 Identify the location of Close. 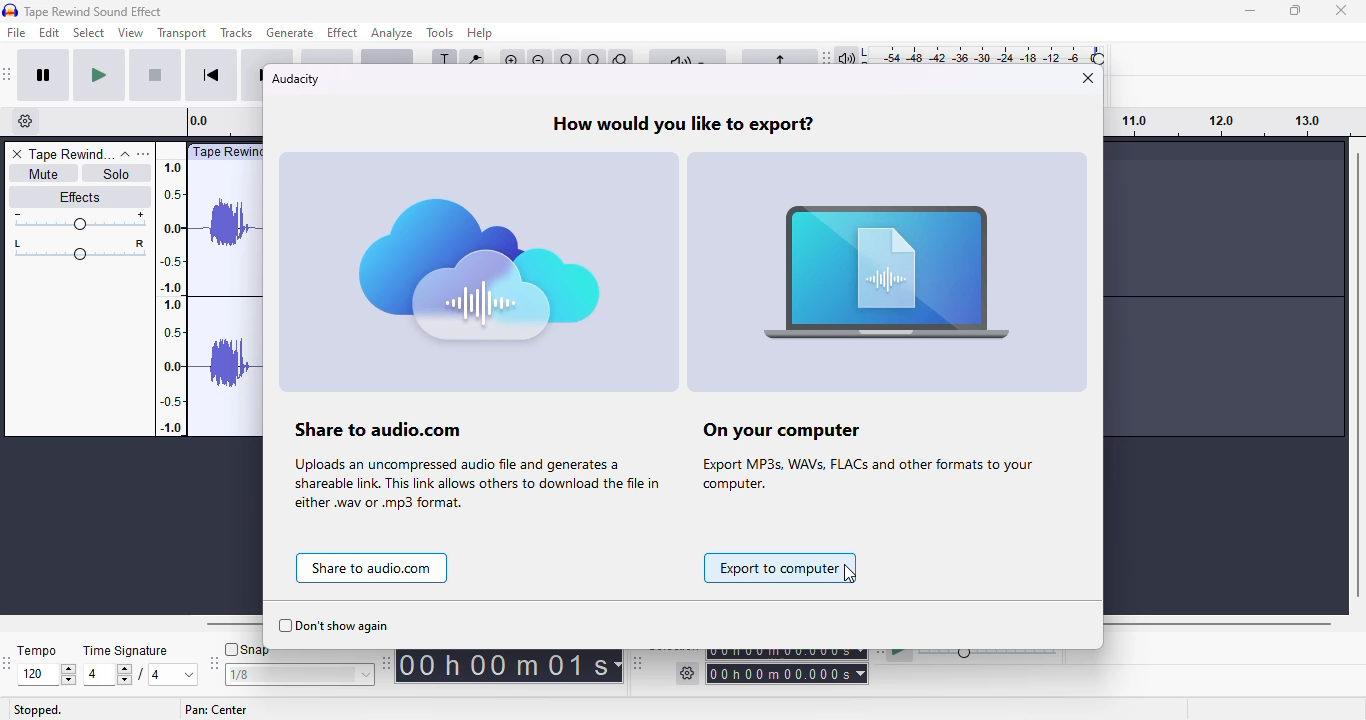
(1341, 11).